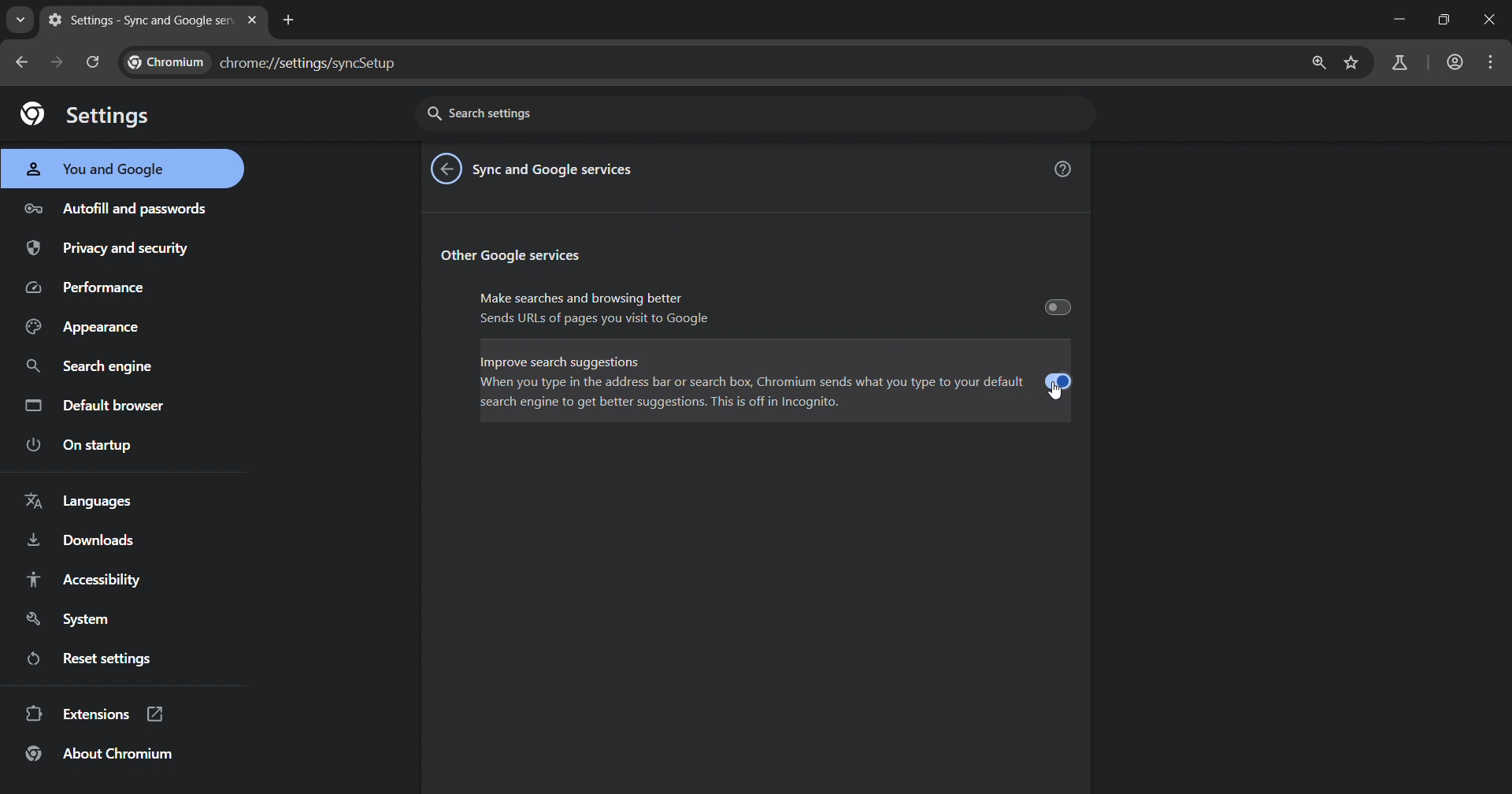 The image size is (1512, 794). Describe the element at coordinates (89, 365) in the screenshot. I see `search engine` at that location.